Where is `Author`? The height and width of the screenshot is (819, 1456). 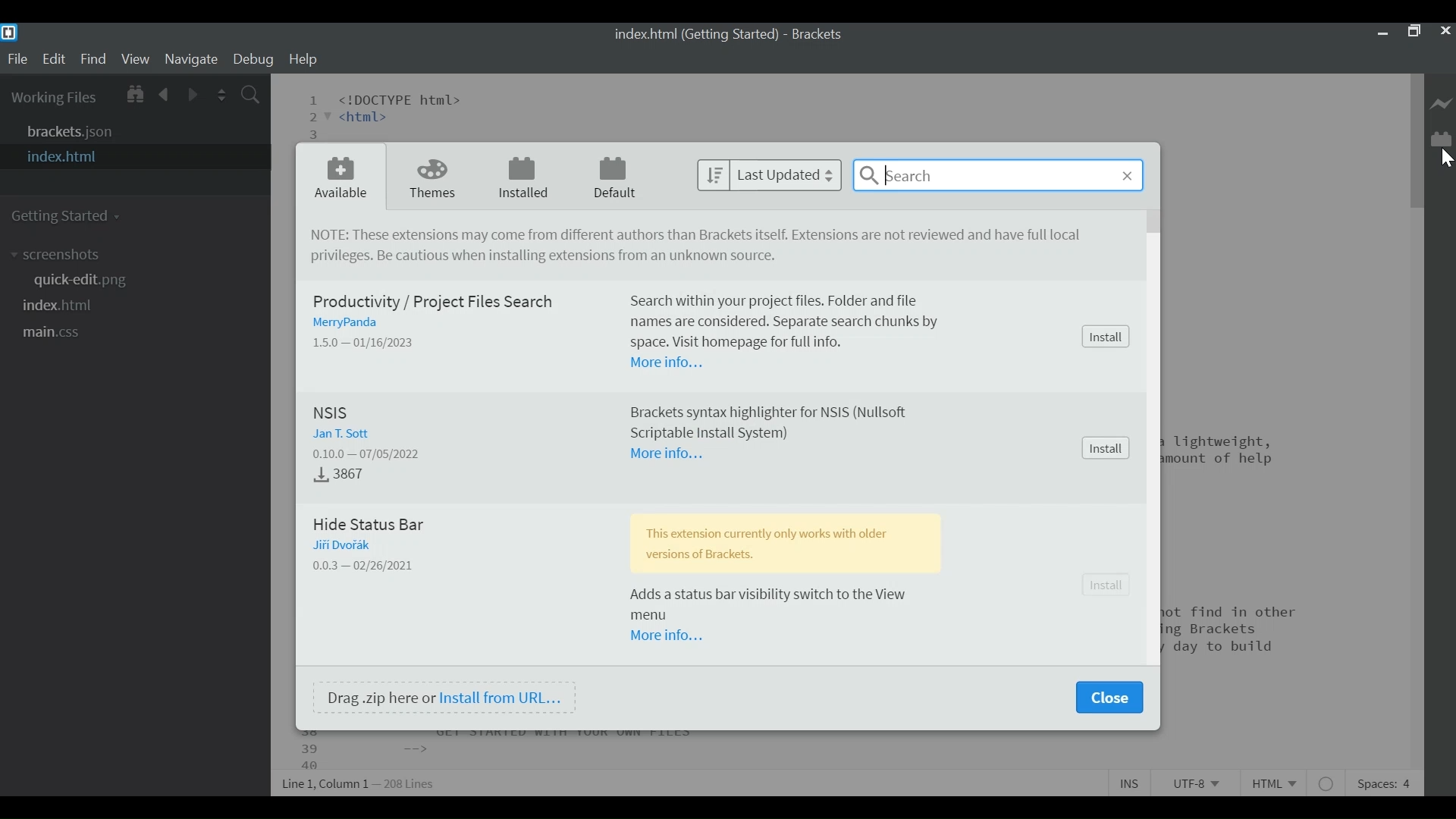 Author is located at coordinates (344, 546).